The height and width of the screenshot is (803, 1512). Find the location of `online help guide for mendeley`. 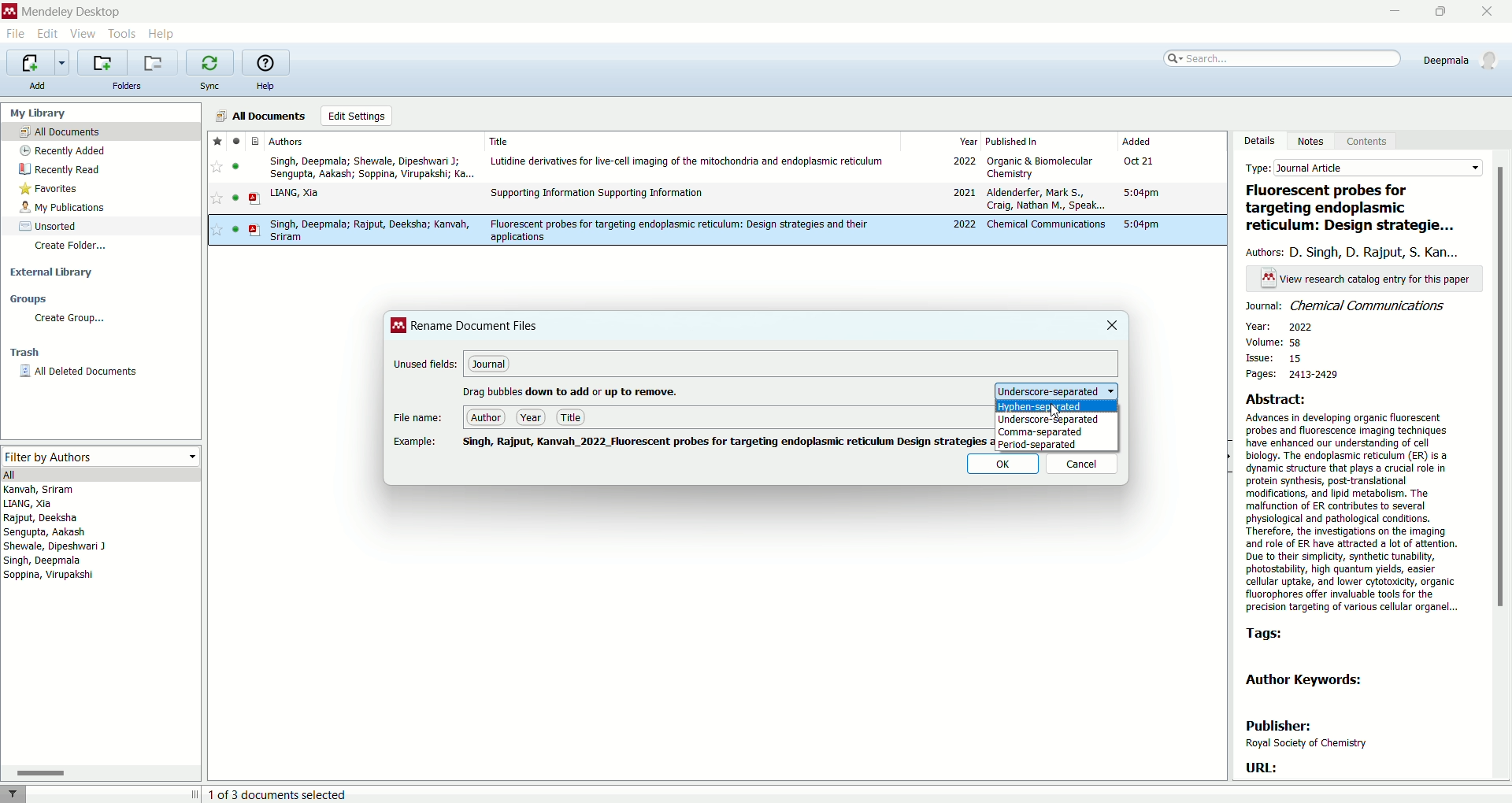

online help guide for mendeley is located at coordinates (263, 62).